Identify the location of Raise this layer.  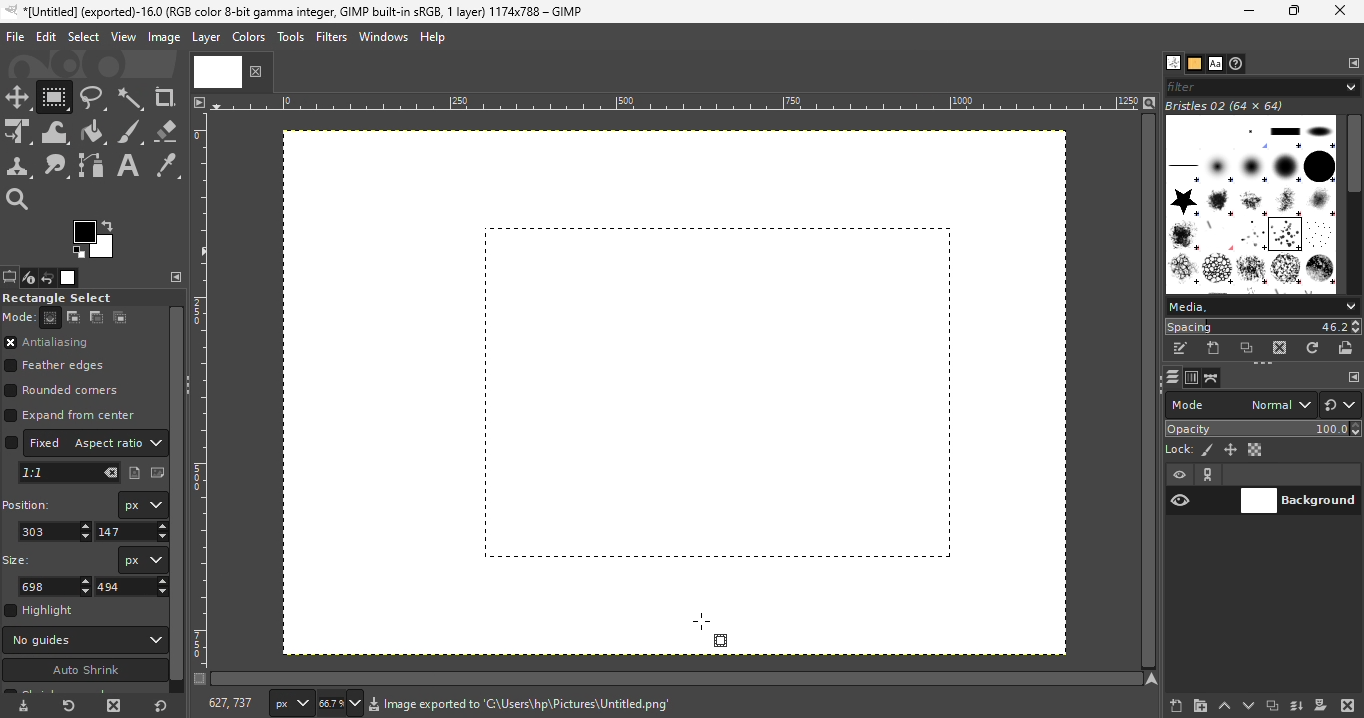
(1223, 704).